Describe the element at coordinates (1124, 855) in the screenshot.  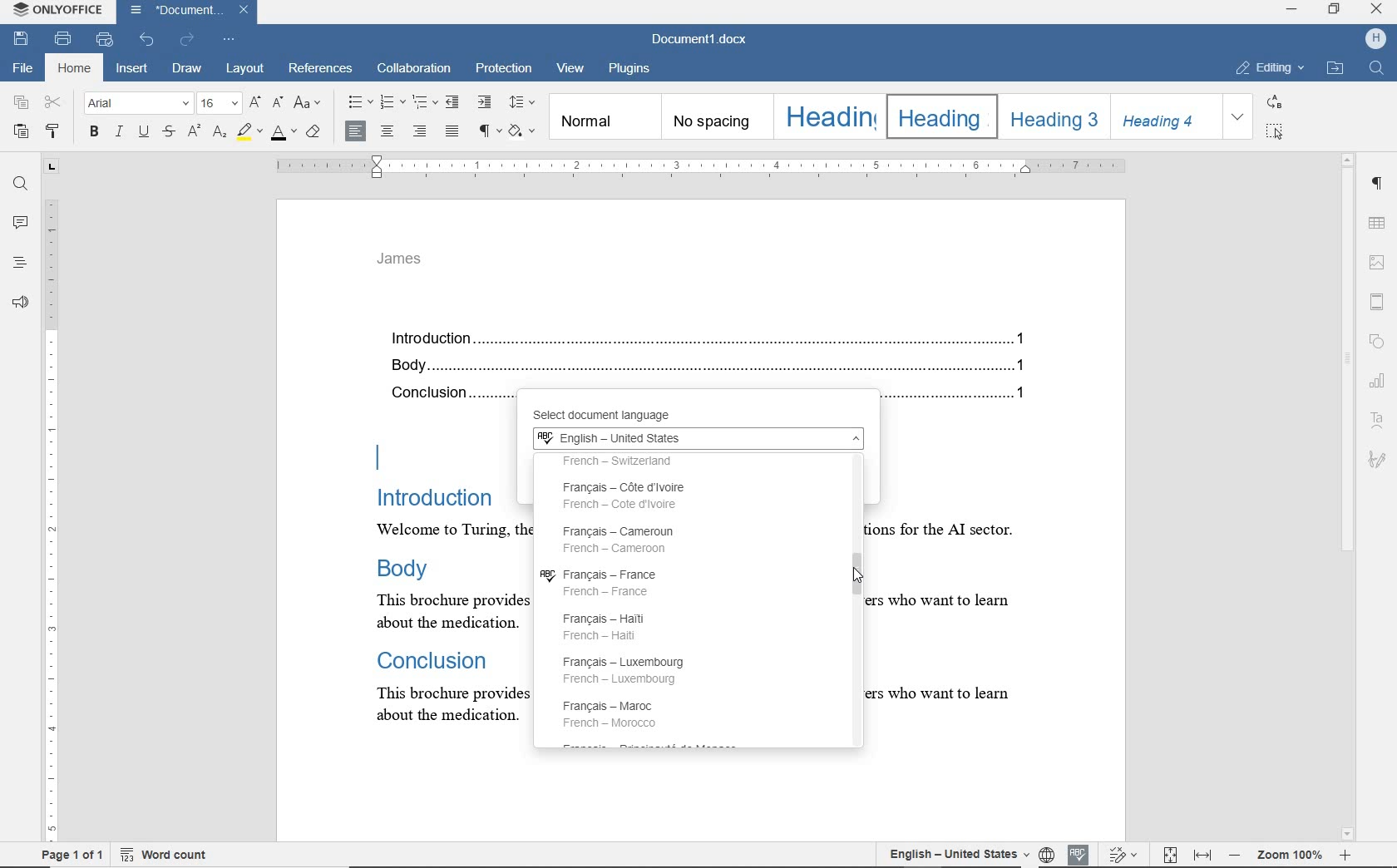
I see `track changes` at that location.